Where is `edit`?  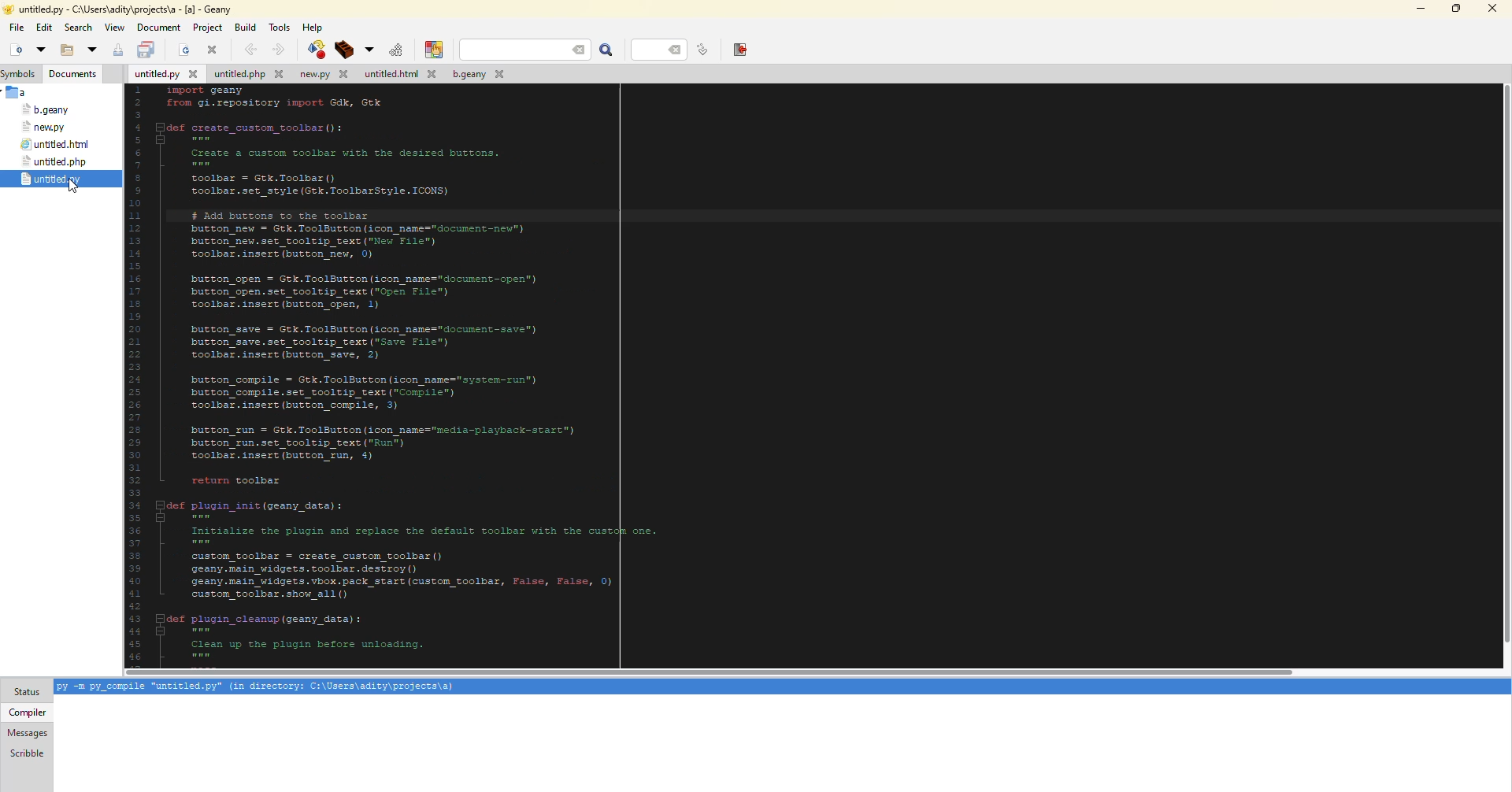
edit is located at coordinates (44, 29).